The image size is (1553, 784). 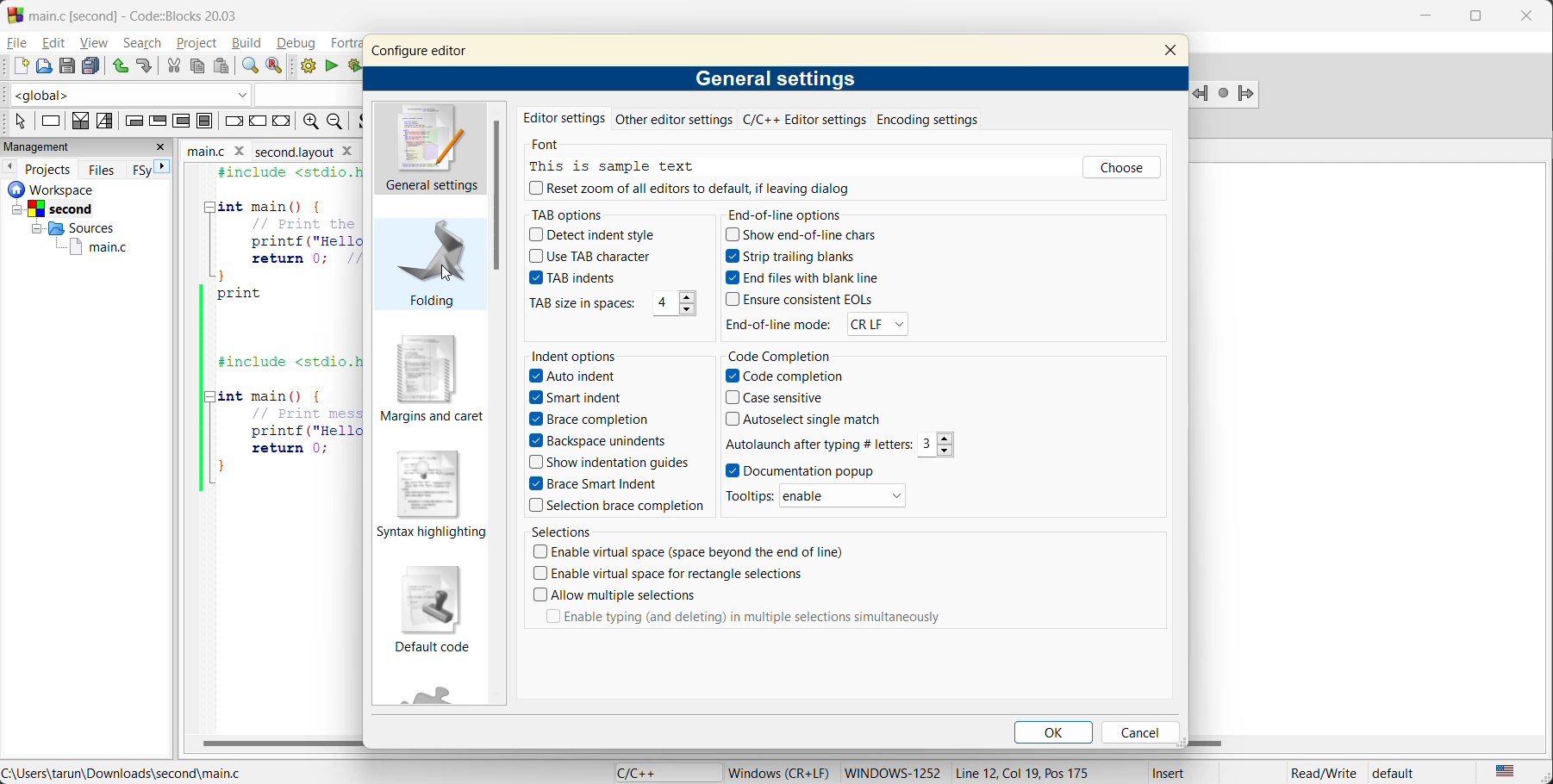 What do you see at coordinates (584, 303) in the screenshot?
I see `tab size in spaces` at bounding box center [584, 303].